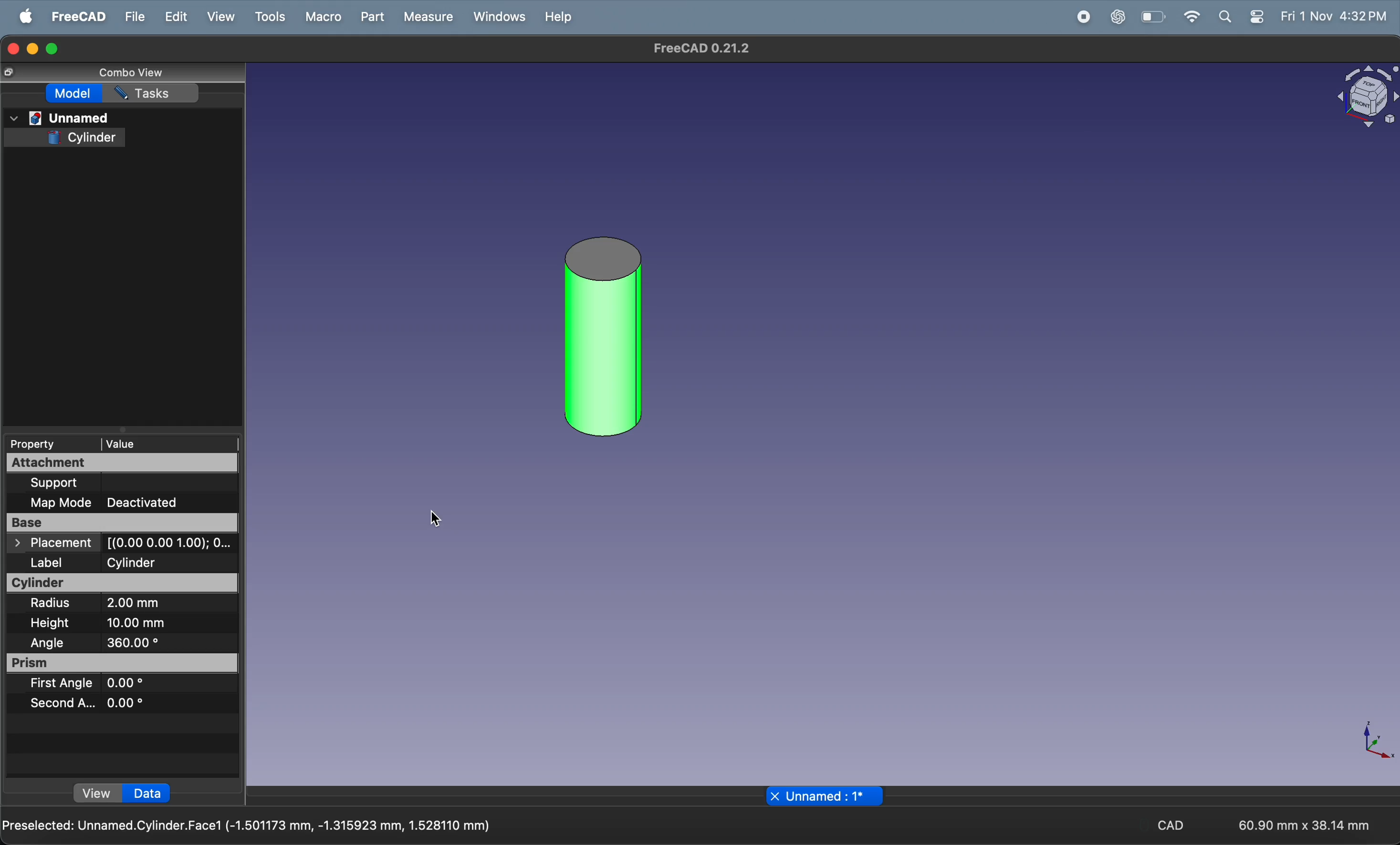 Image resolution: width=1400 pixels, height=845 pixels. I want to click on chat gpt, so click(1115, 18).